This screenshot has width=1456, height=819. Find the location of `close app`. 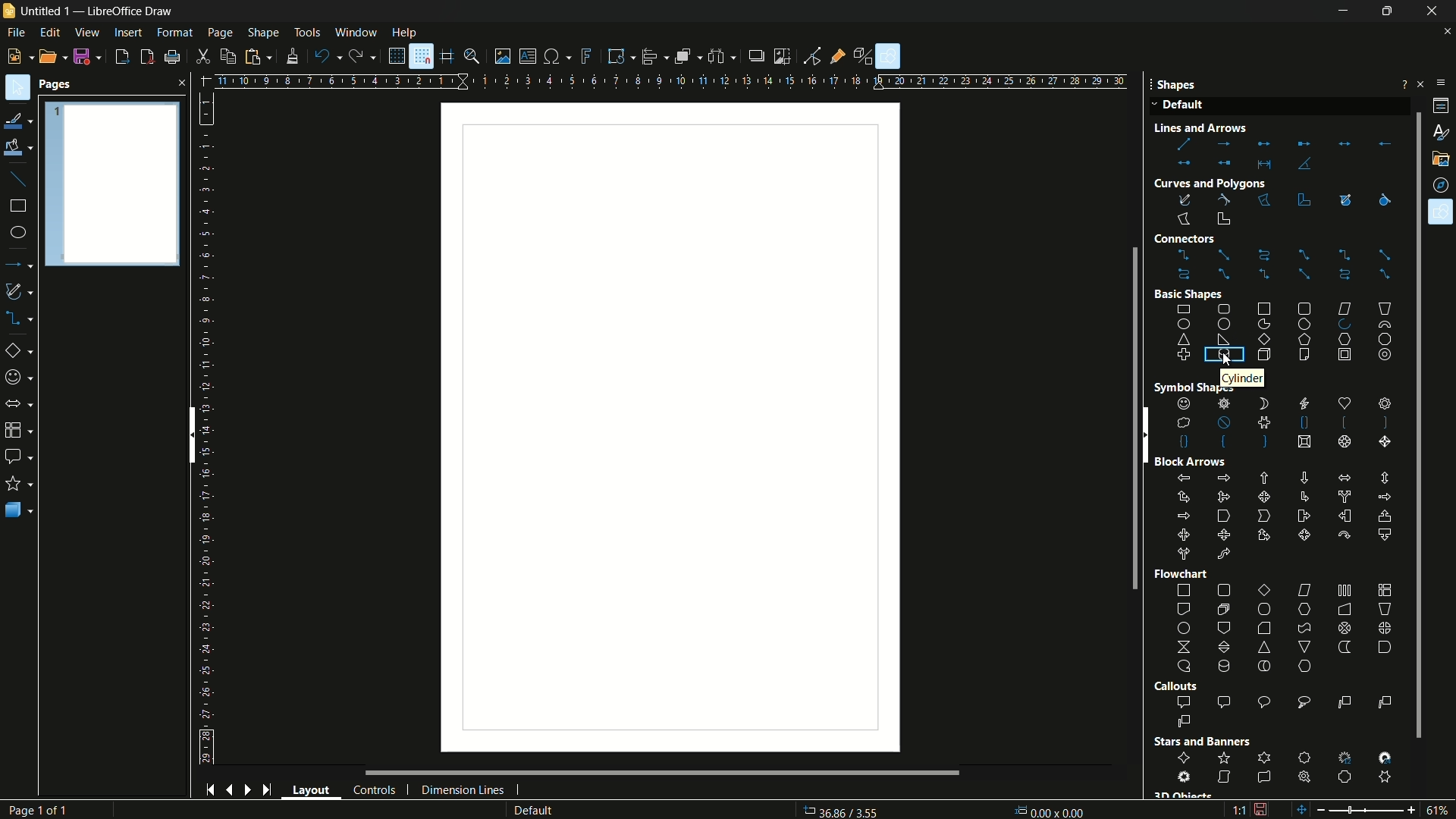

close app is located at coordinates (1436, 11).